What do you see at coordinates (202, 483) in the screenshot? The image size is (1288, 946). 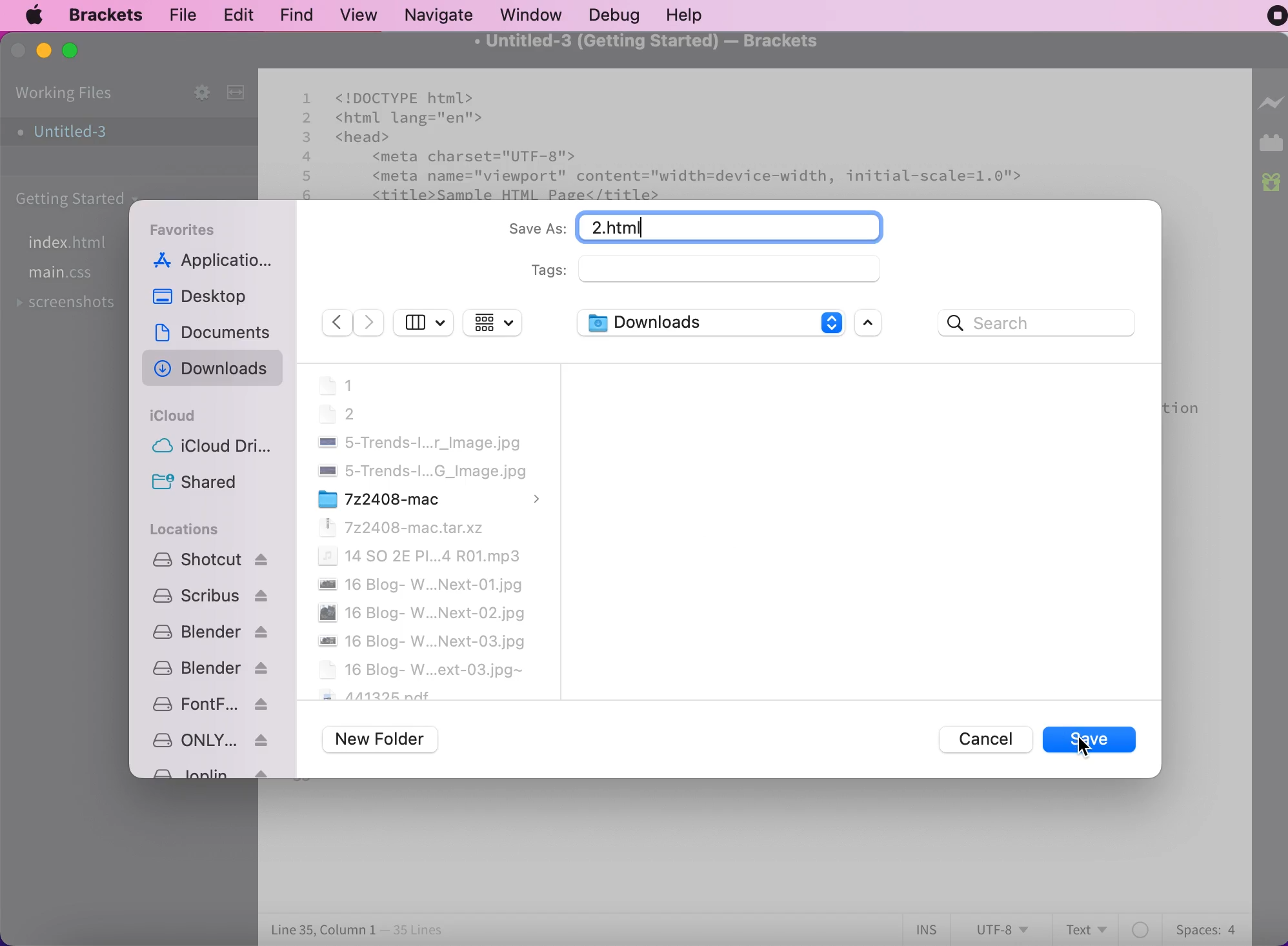 I see `shared` at bounding box center [202, 483].